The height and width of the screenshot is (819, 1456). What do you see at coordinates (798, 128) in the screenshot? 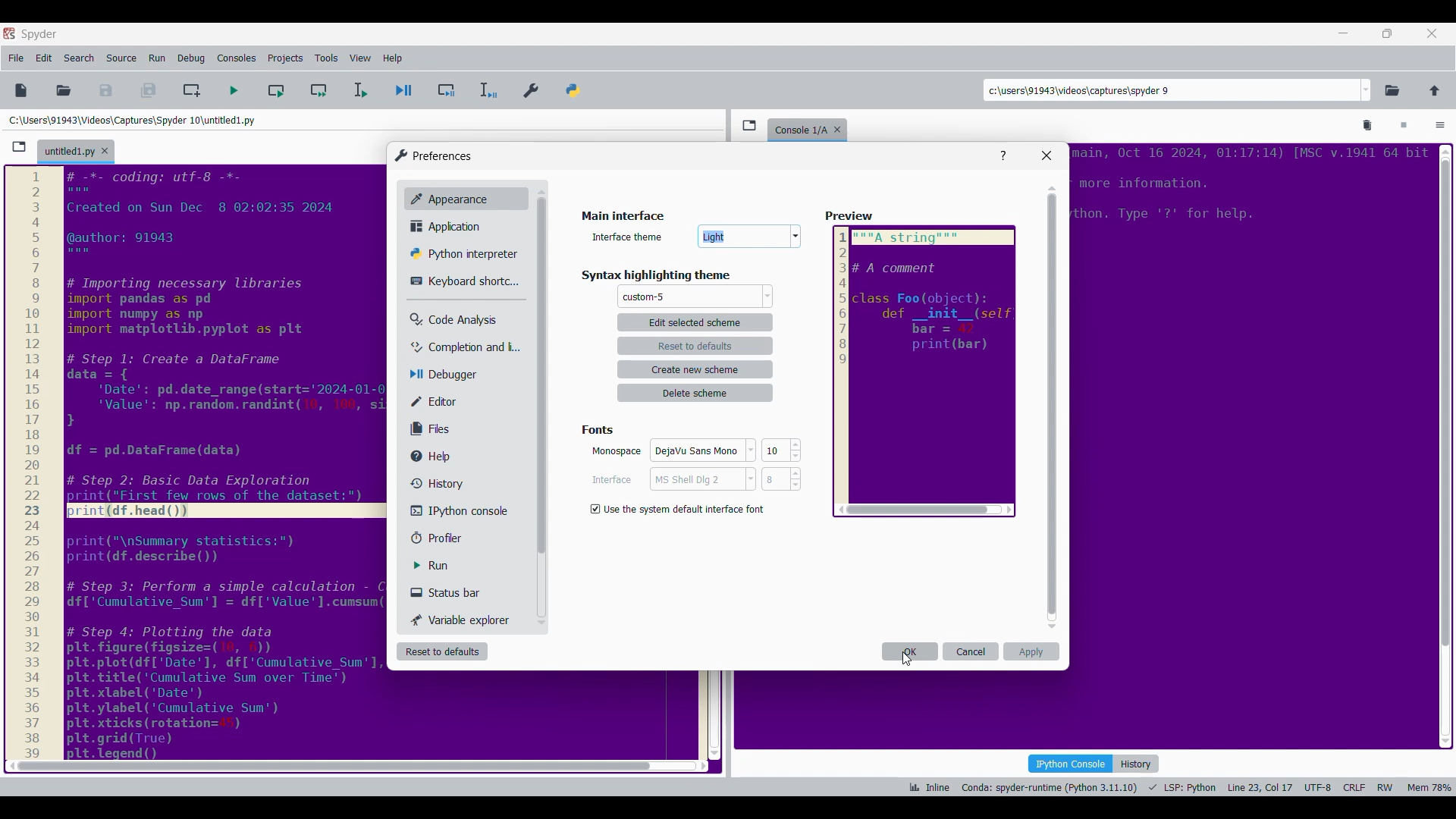
I see `console` at bounding box center [798, 128].